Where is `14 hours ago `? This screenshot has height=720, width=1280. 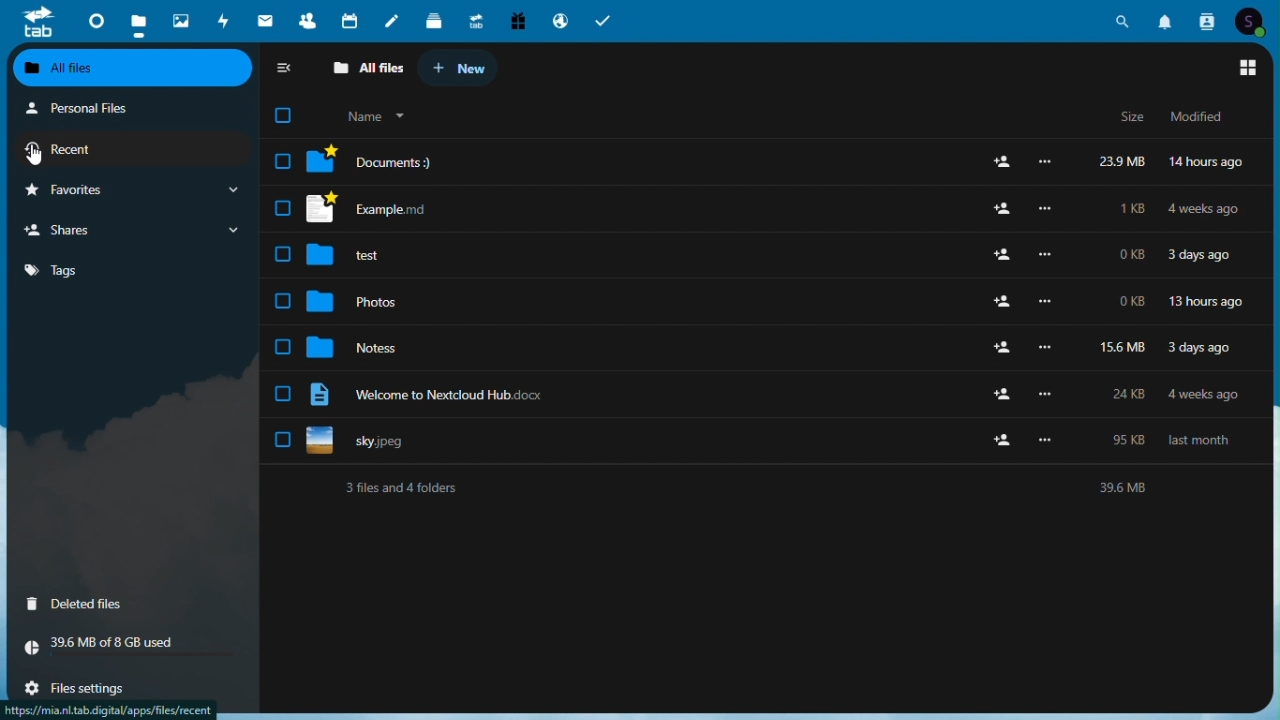
14 hours ago  is located at coordinates (1208, 164).